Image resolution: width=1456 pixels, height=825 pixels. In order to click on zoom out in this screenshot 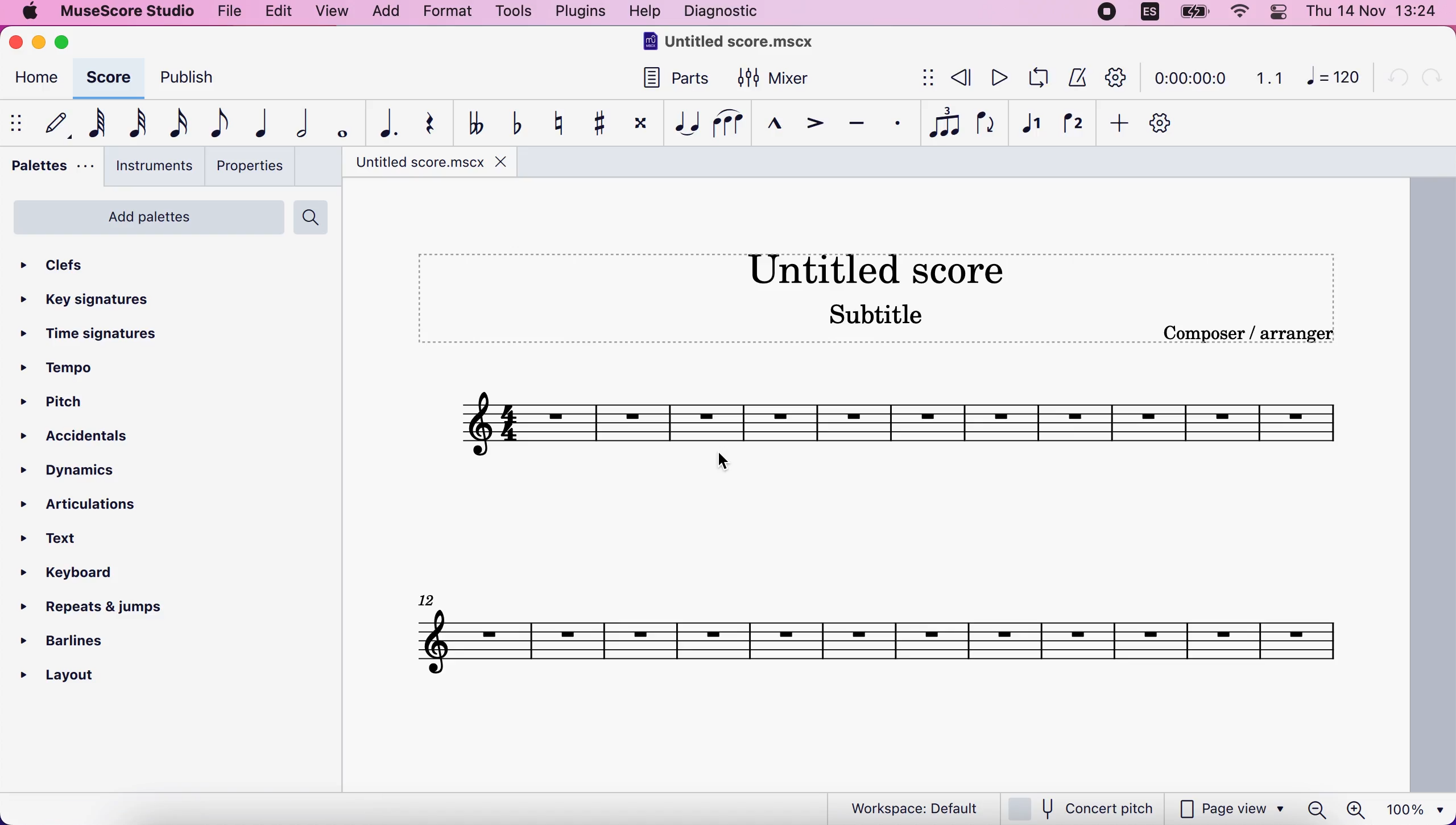, I will do `click(1315, 810)`.